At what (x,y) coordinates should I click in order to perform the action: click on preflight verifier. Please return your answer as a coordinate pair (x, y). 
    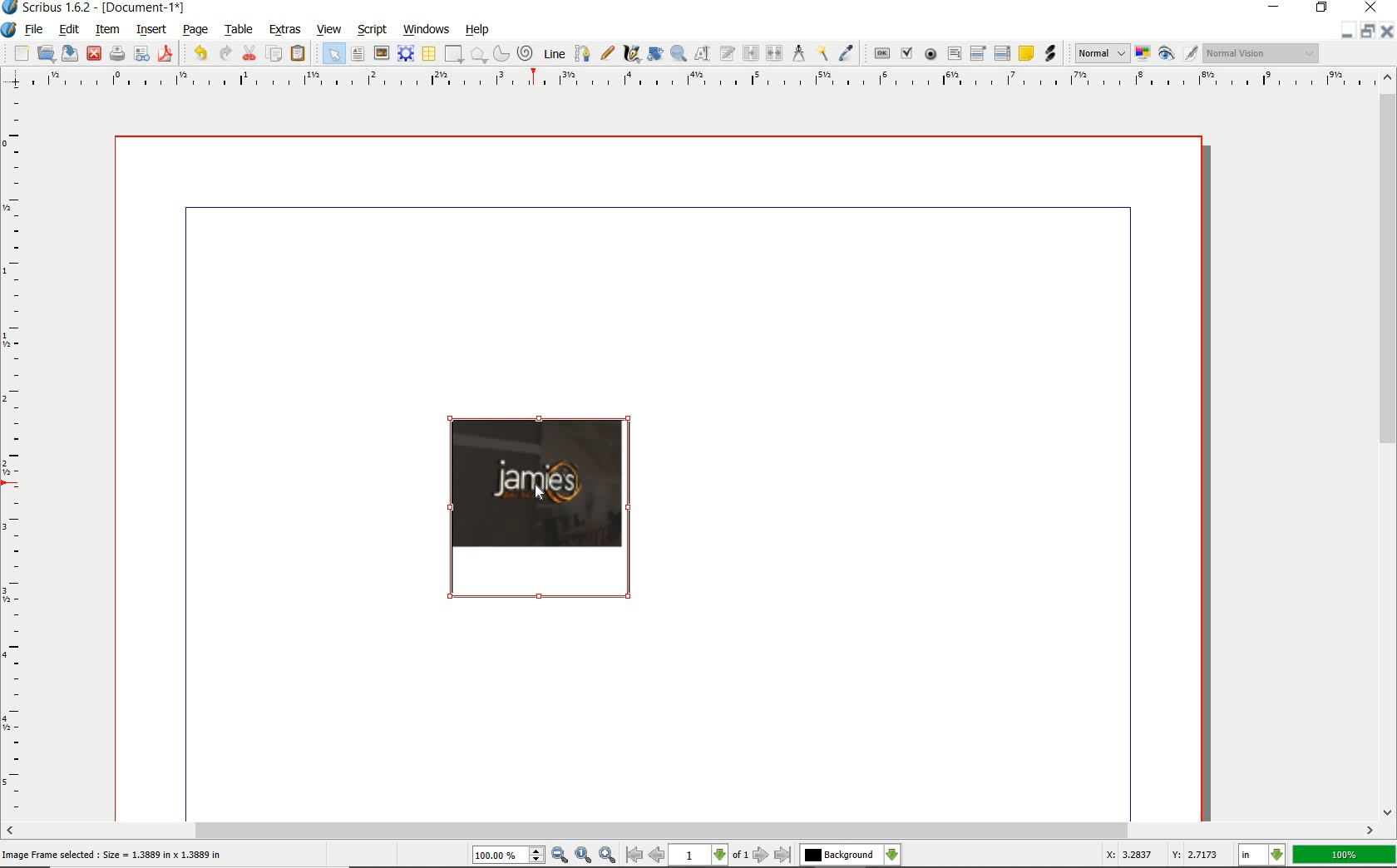
    Looking at the image, I should click on (143, 54).